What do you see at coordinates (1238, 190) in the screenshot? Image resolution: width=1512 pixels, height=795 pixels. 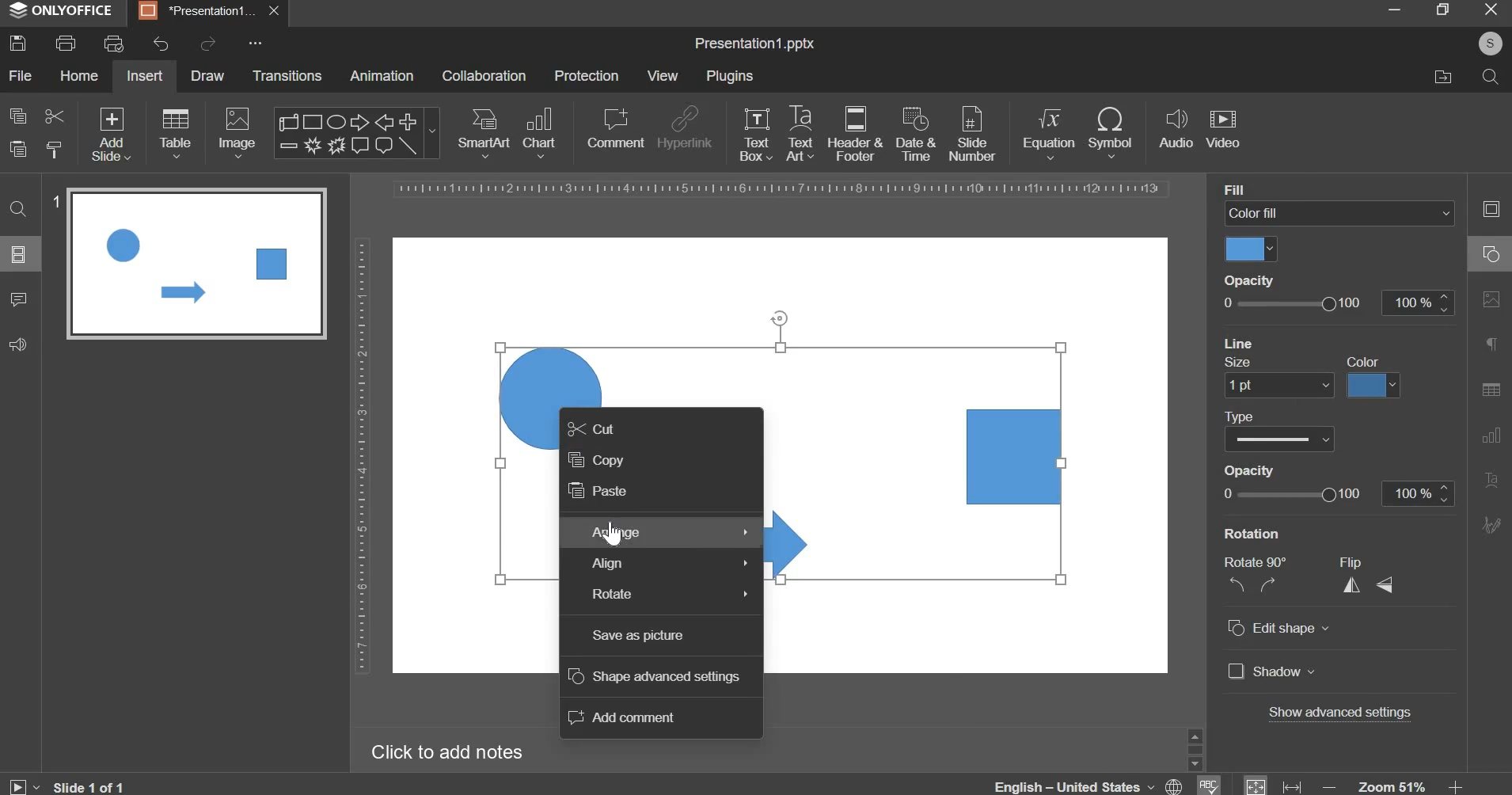 I see `Fill` at bounding box center [1238, 190].